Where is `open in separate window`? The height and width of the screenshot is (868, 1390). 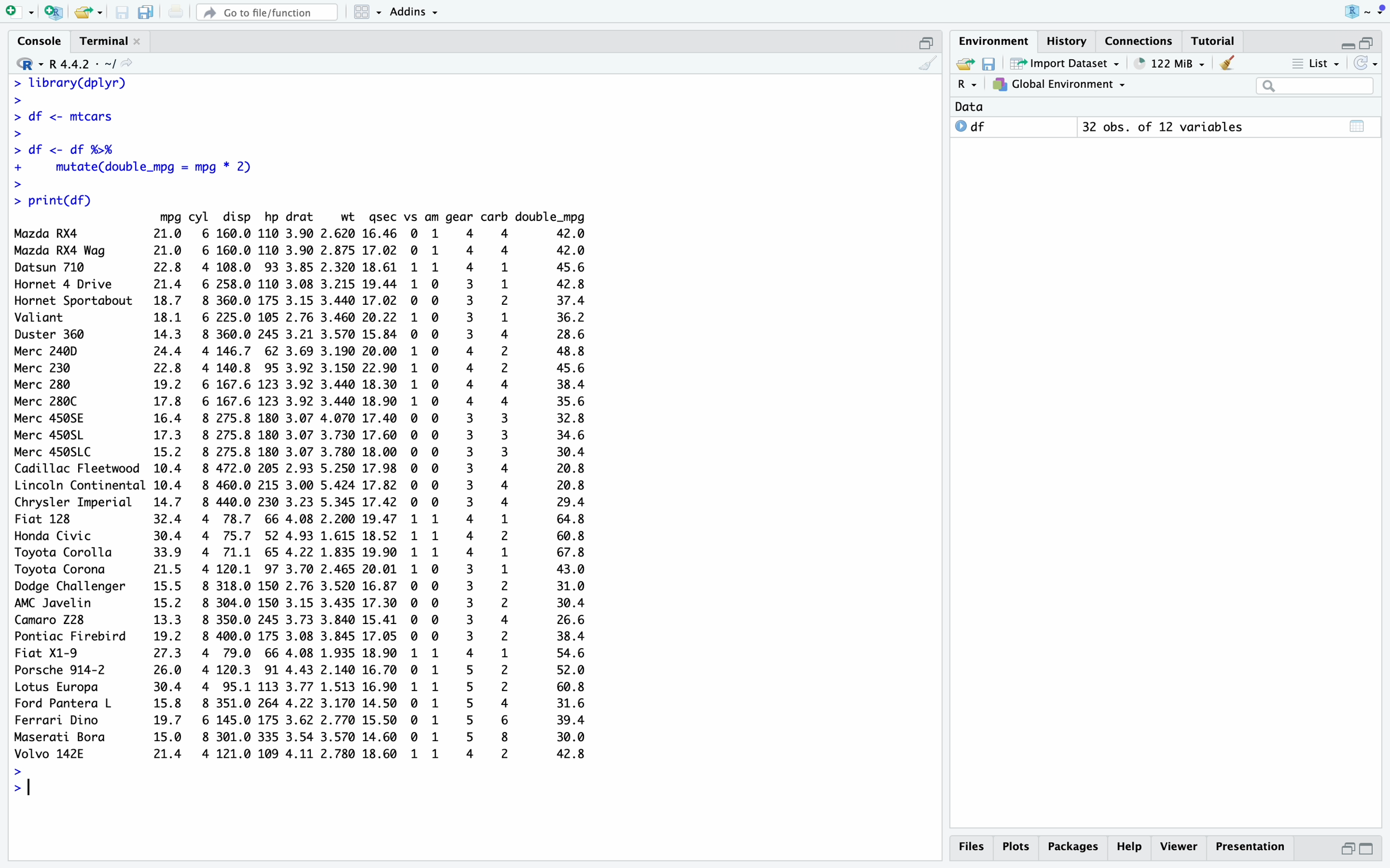 open in separate window is located at coordinates (1366, 42).